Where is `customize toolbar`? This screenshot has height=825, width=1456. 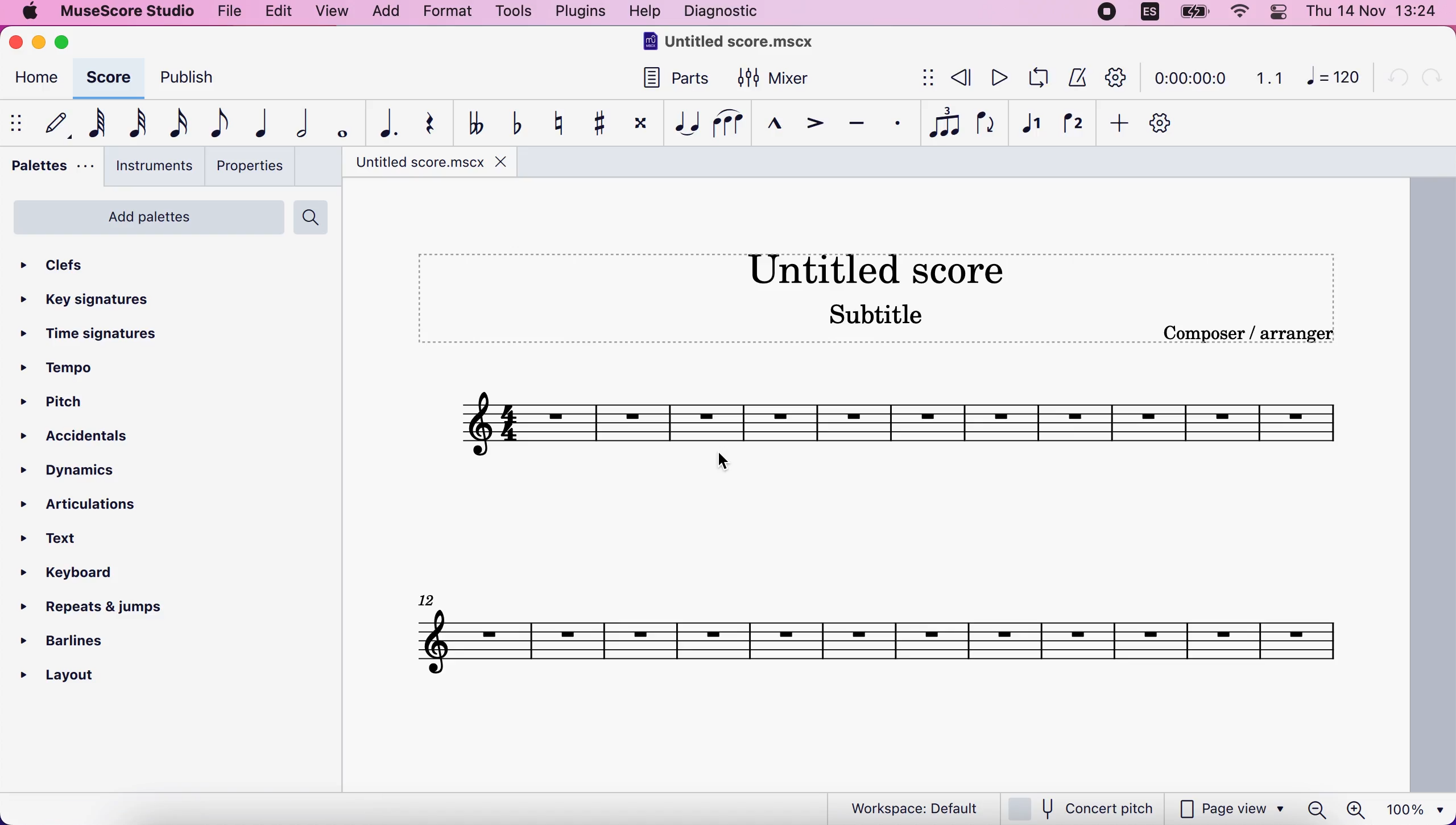 customize toolbar is located at coordinates (1164, 122).